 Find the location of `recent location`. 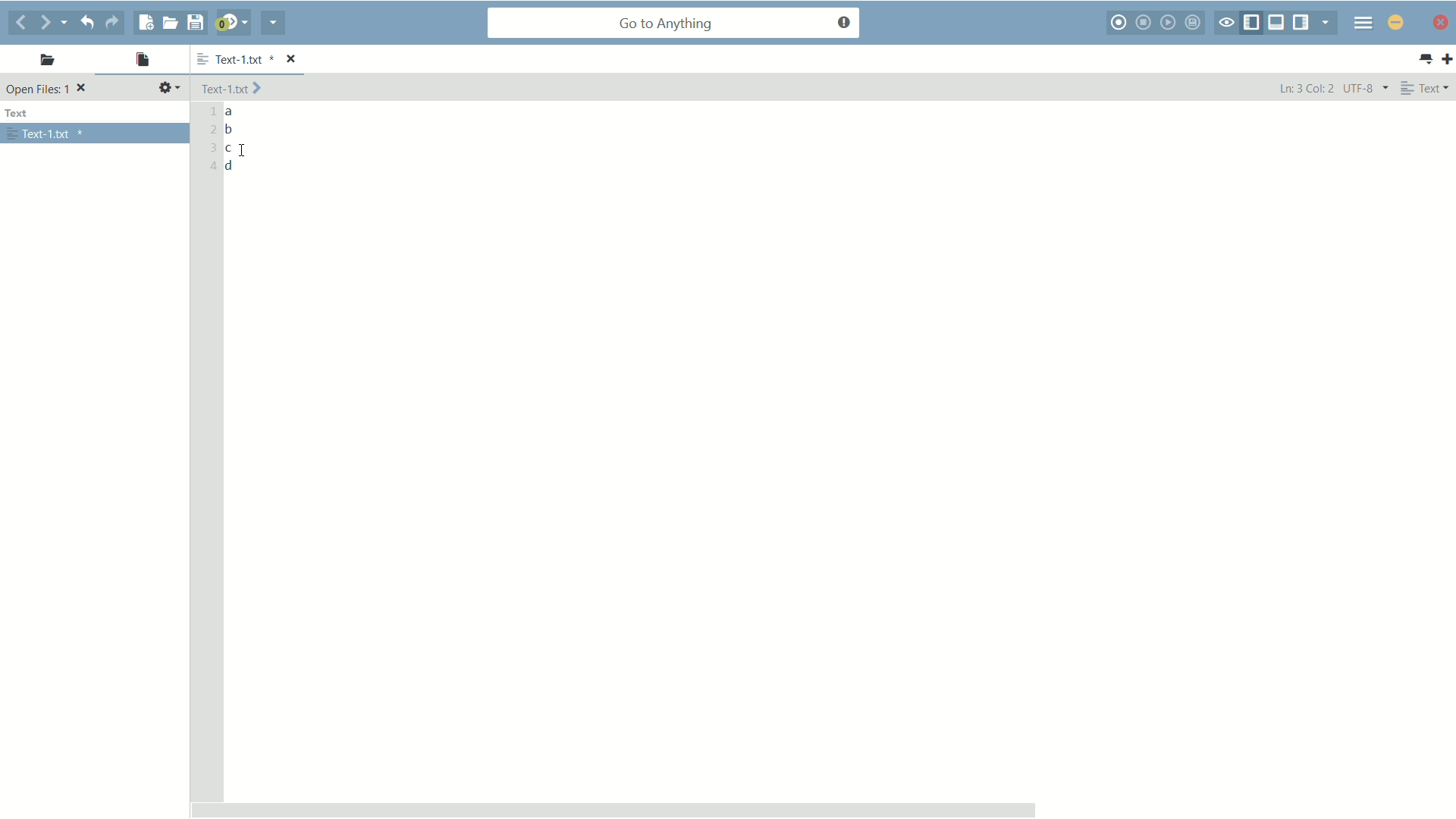

recent location is located at coordinates (70, 20).